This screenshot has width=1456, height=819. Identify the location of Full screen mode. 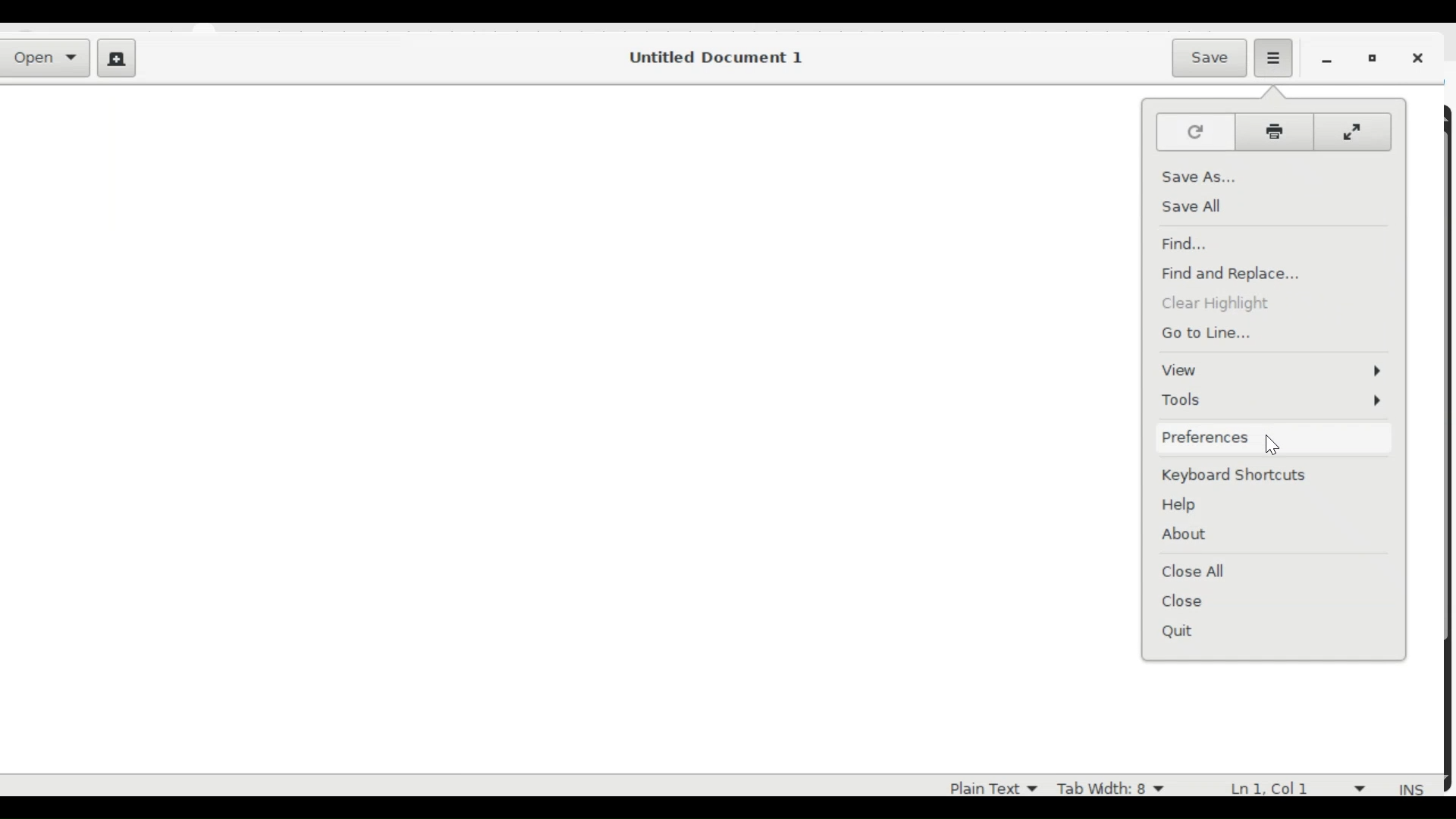
(1354, 133).